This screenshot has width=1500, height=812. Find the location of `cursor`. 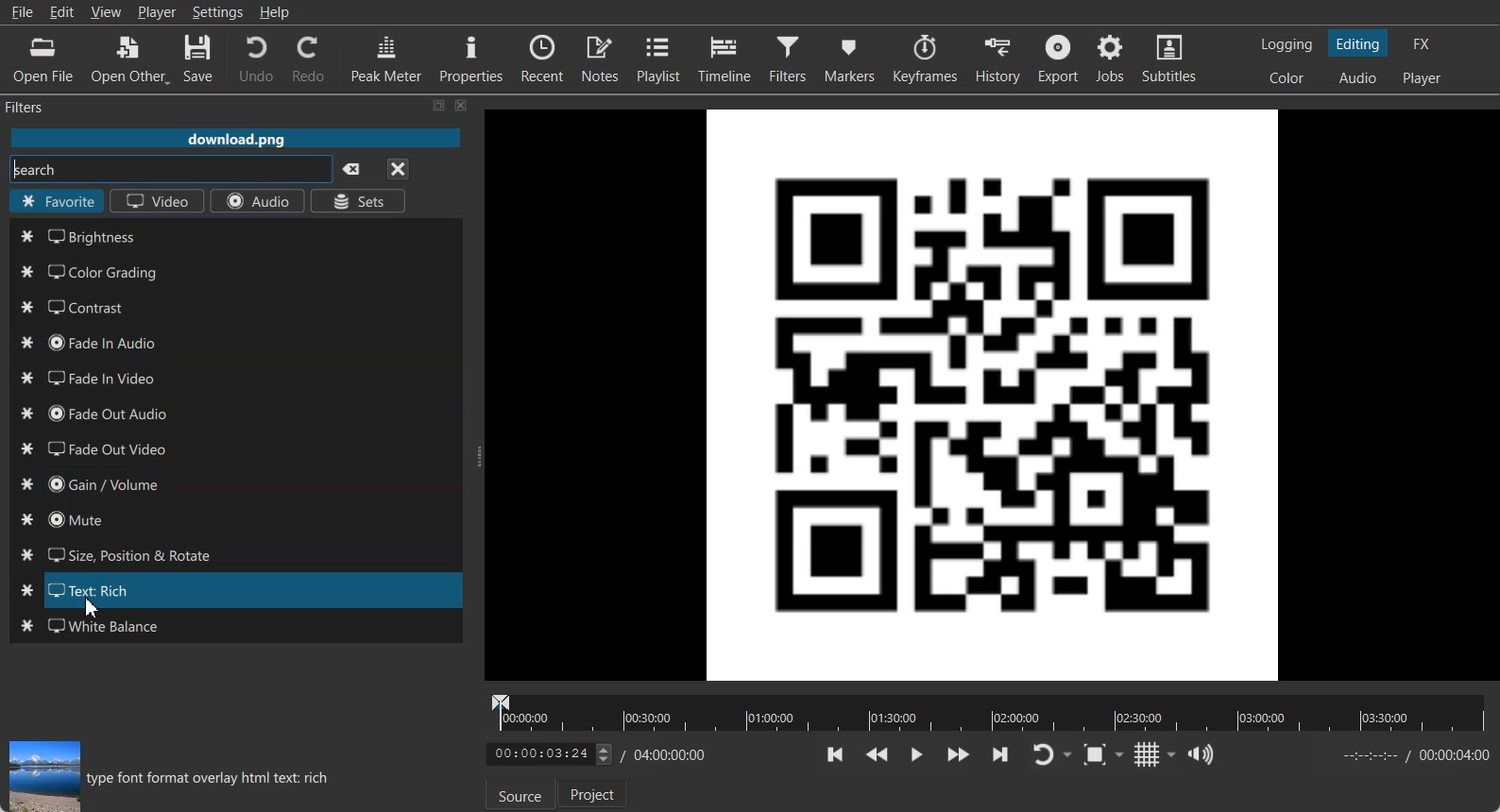

cursor is located at coordinates (99, 610).